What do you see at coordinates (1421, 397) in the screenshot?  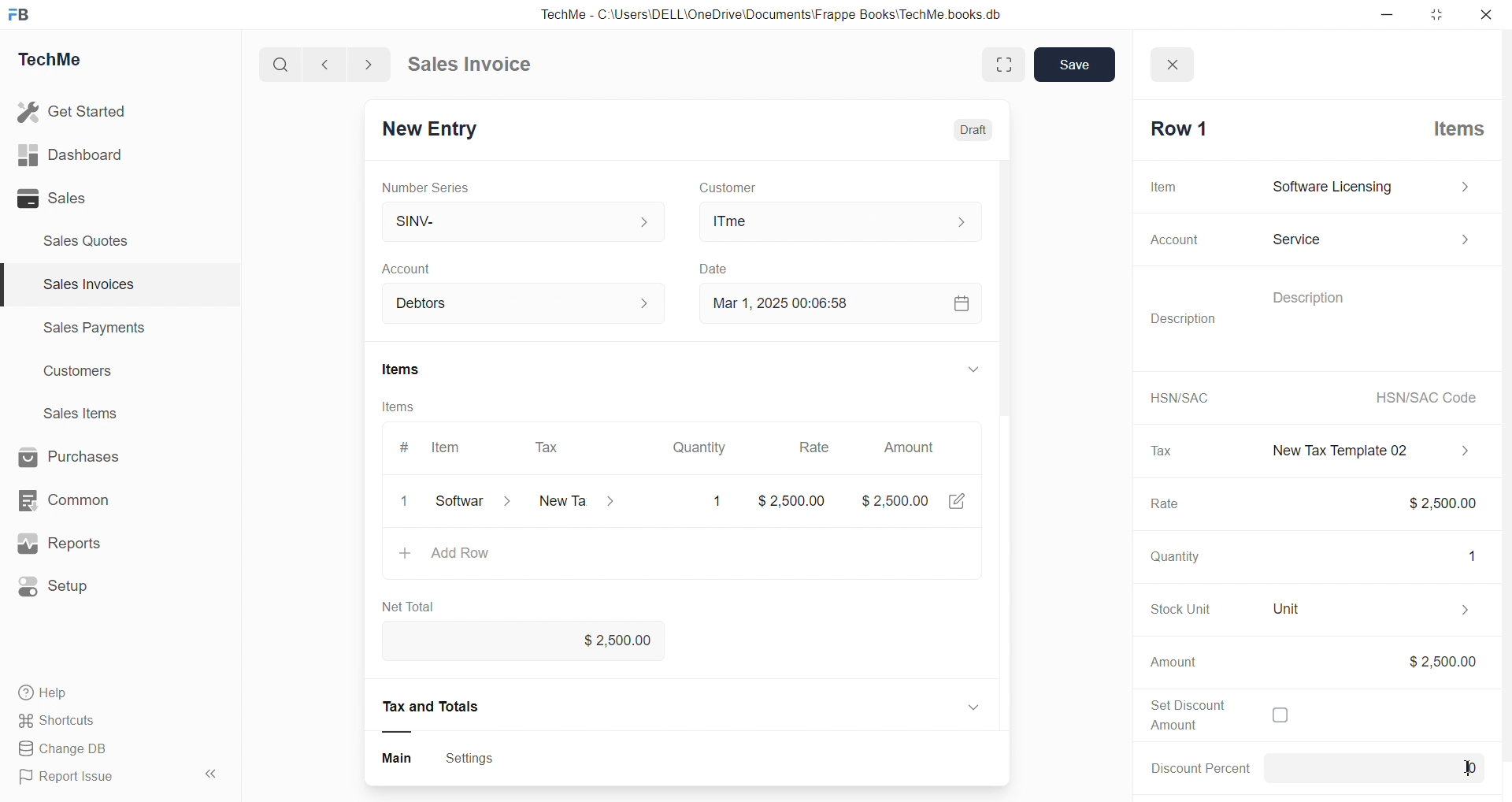 I see `HSN/SAC Code` at bounding box center [1421, 397].